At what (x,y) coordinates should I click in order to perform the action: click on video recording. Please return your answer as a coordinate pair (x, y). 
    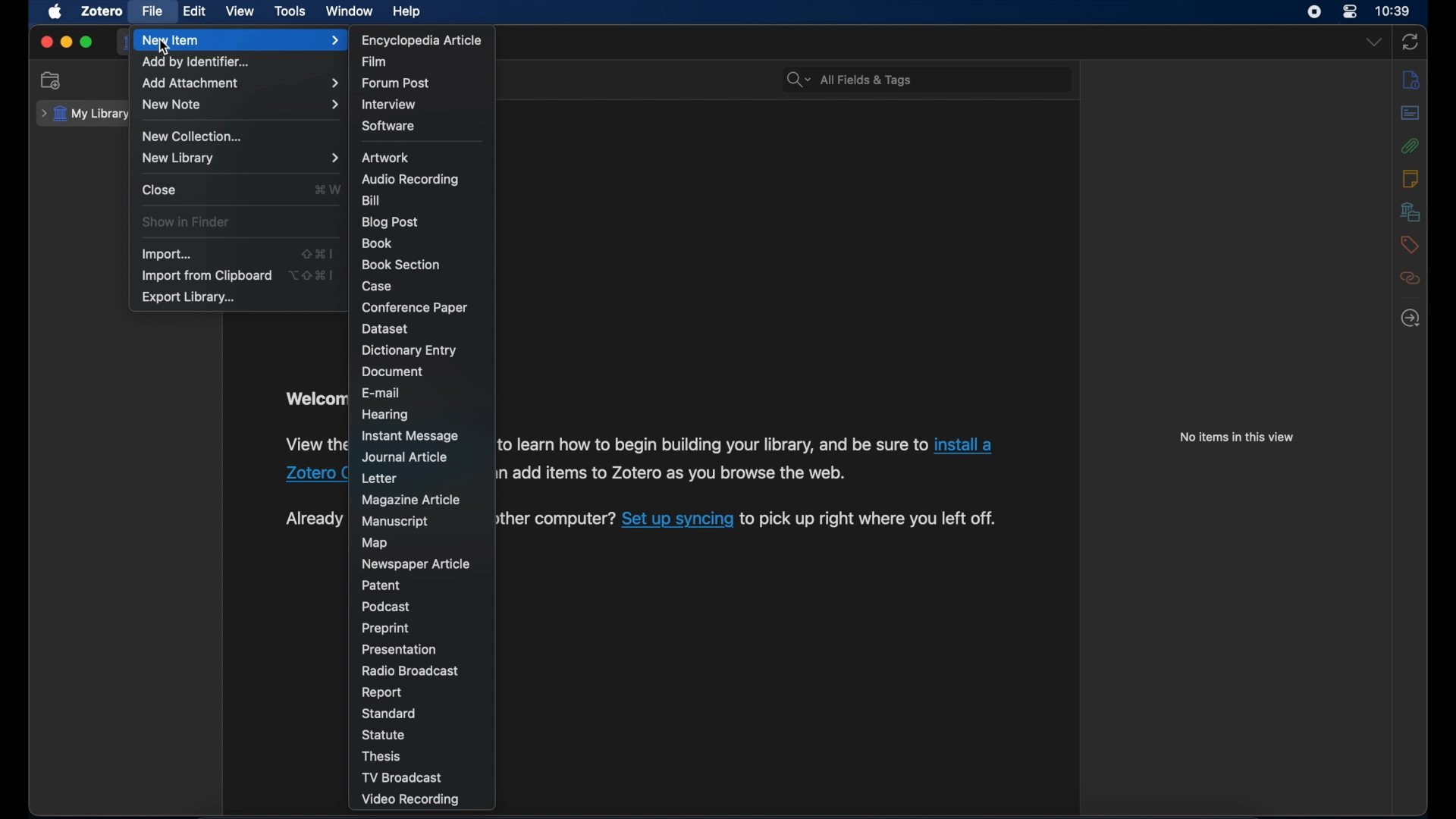
    Looking at the image, I should click on (427, 799).